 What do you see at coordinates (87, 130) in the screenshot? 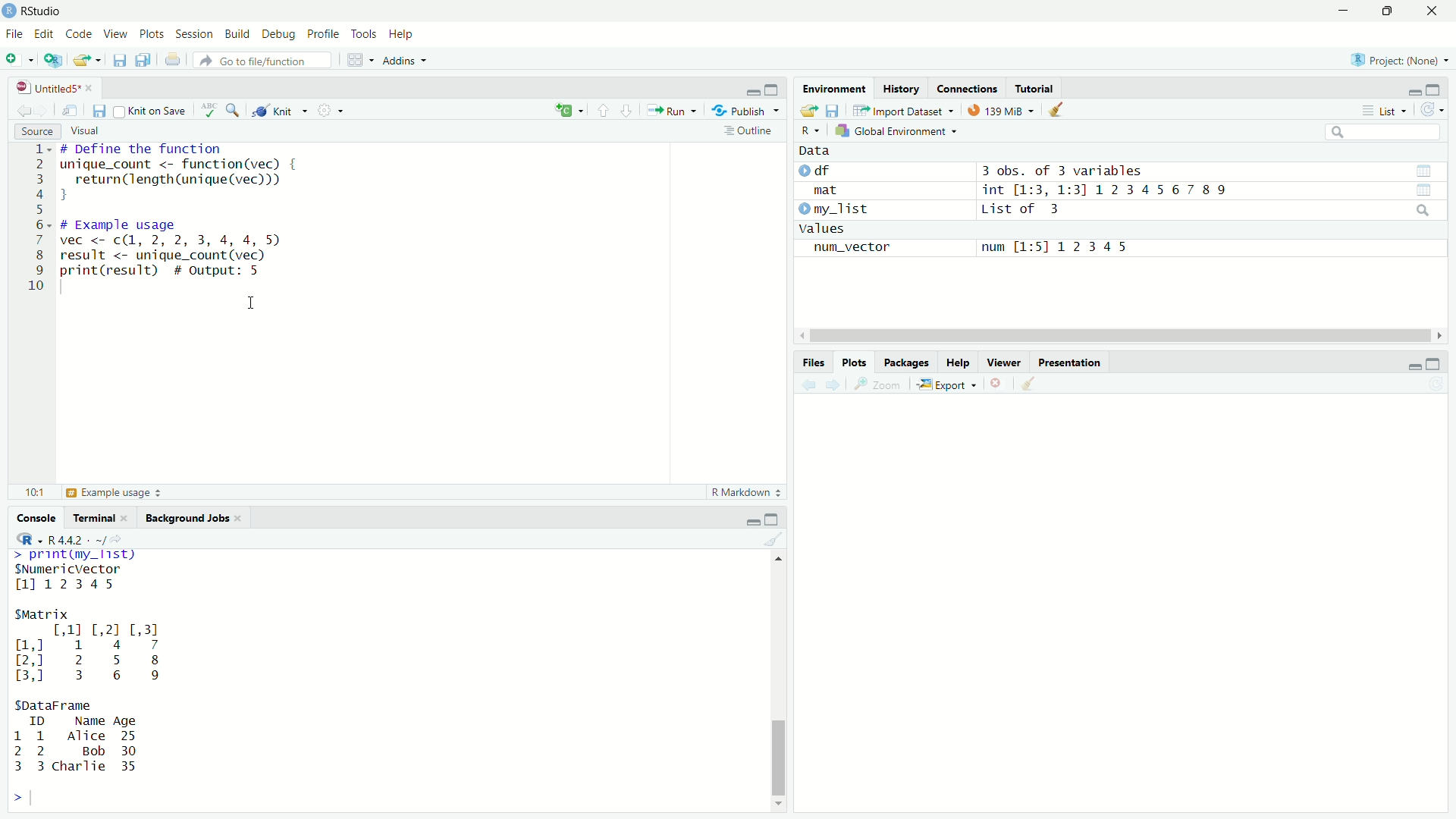
I see `Visual` at bounding box center [87, 130].